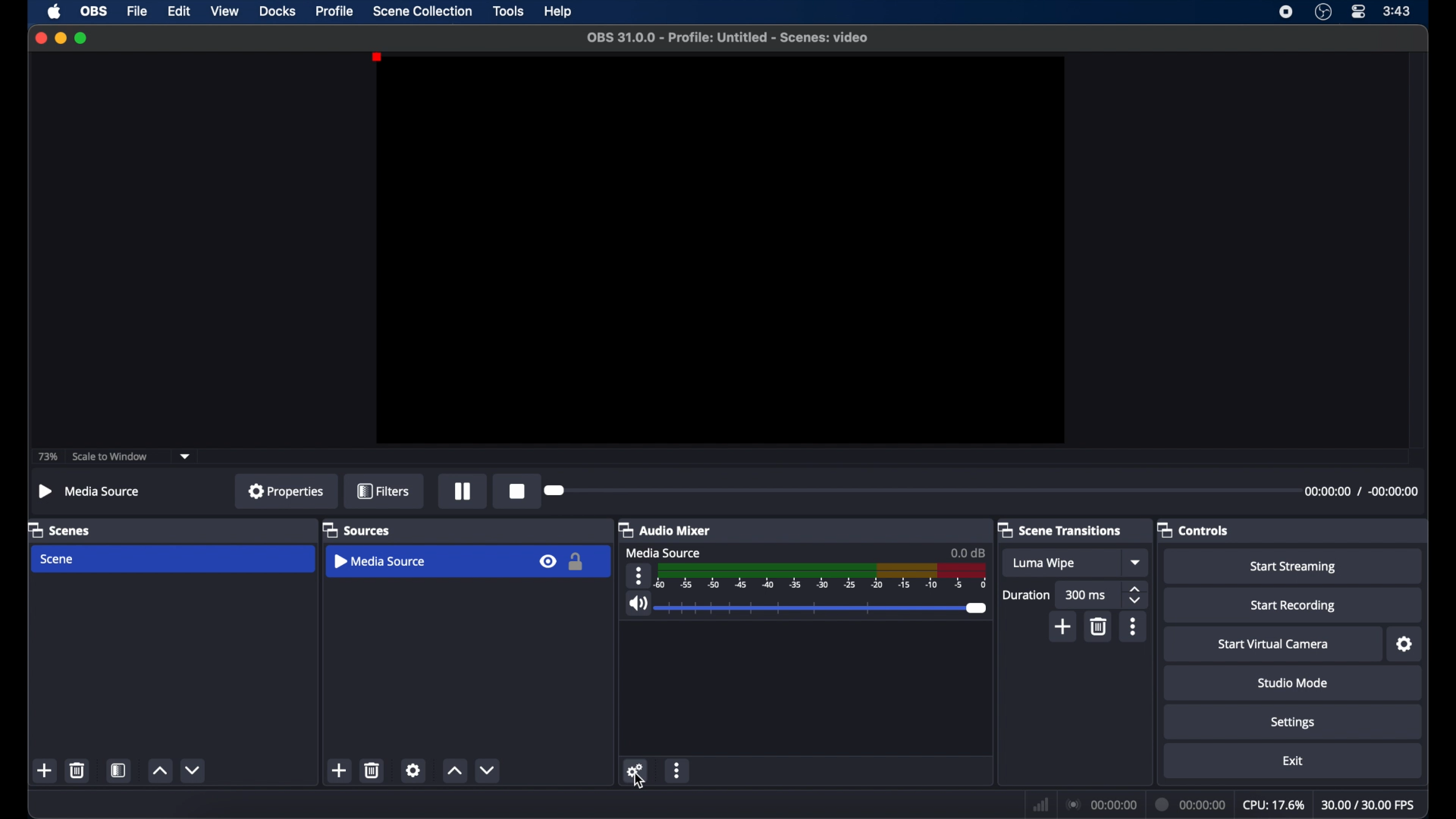 The image size is (1456, 819). Describe the element at coordinates (373, 770) in the screenshot. I see `delete` at that location.